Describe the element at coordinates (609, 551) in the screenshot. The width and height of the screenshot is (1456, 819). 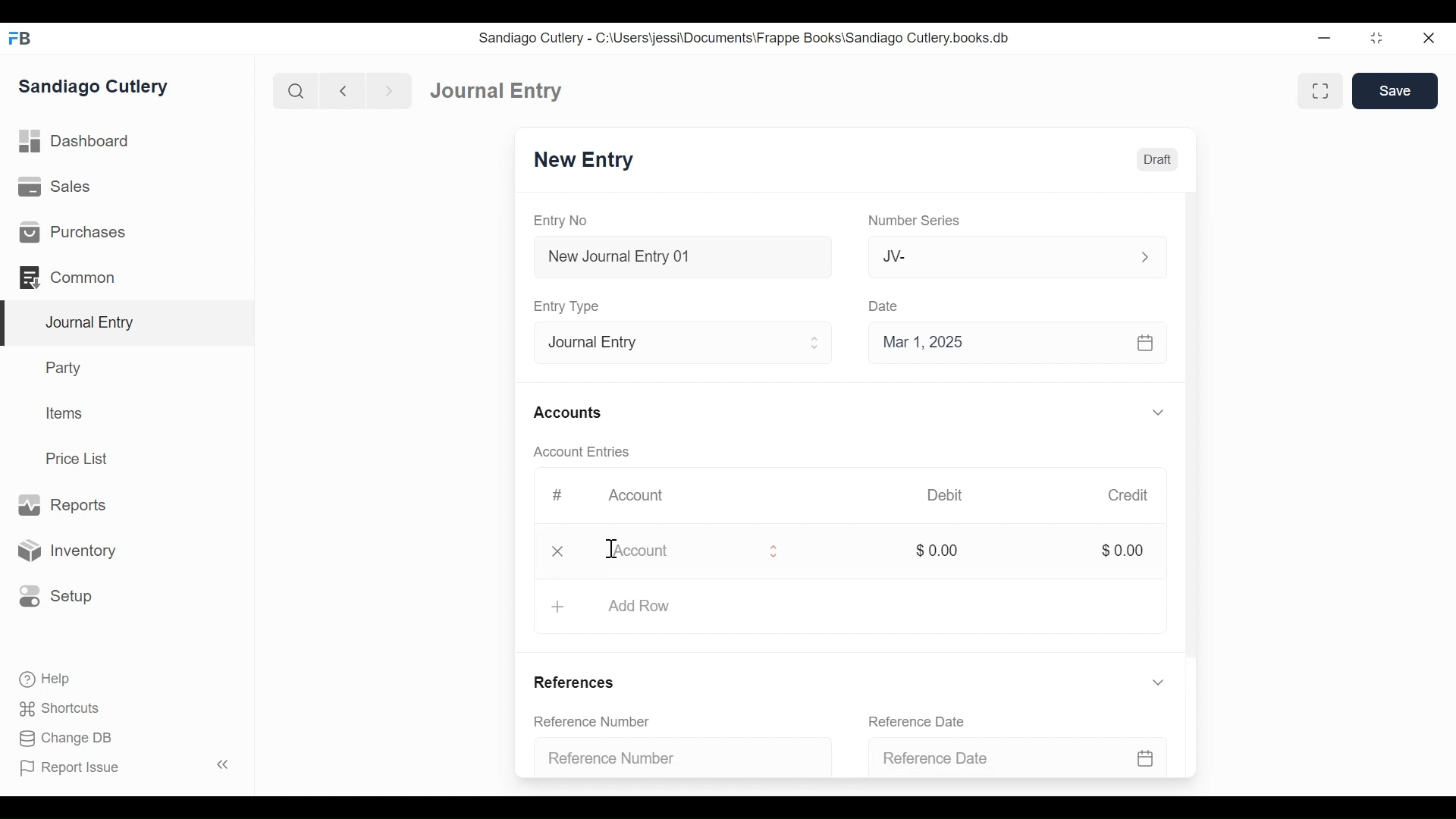
I see `cursor` at that location.